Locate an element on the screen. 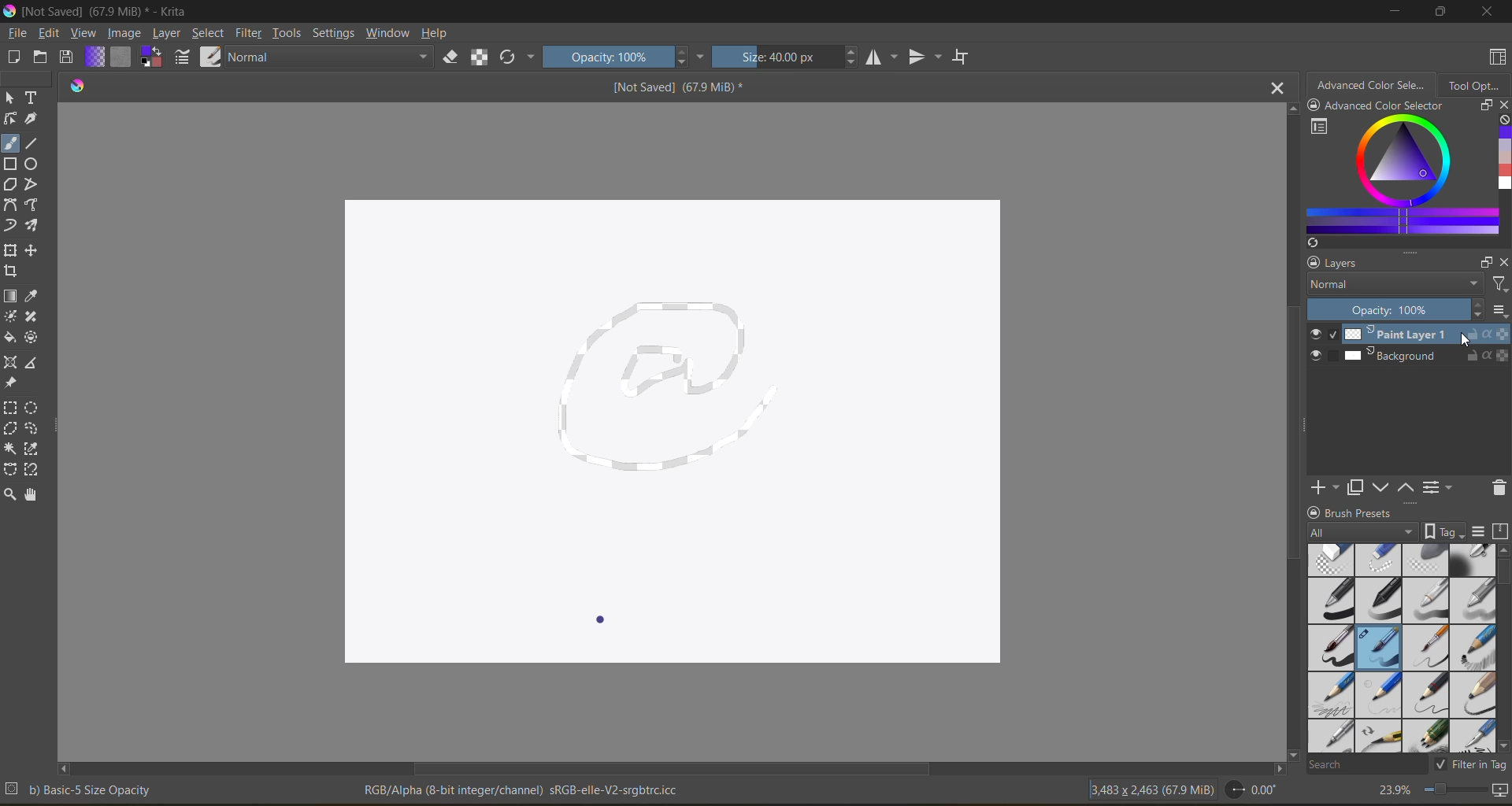 This screenshot has width=1512, height=806. create is located at coordinates (1325, 488).